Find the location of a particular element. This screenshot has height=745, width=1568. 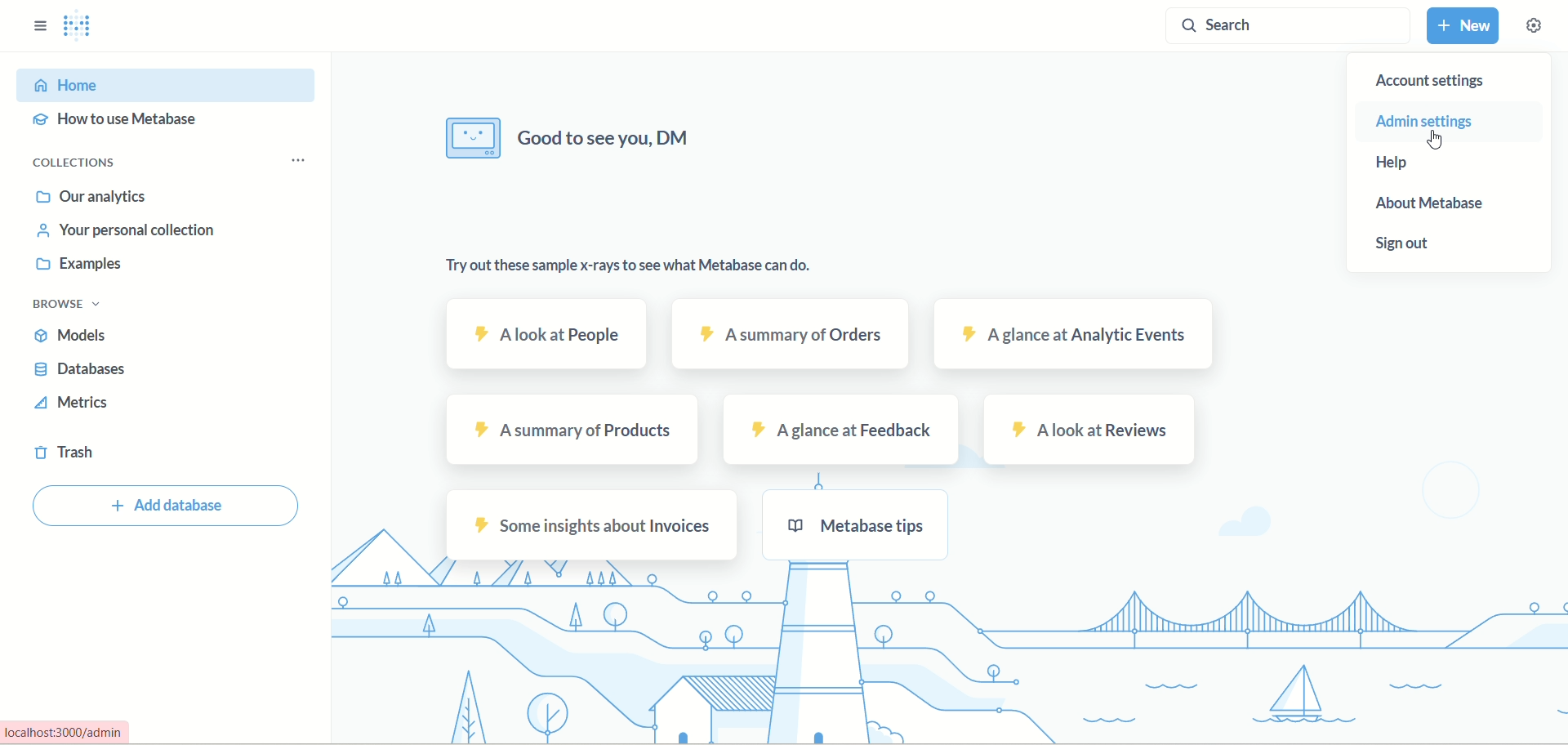

collections is located at coordinates (87, 165).